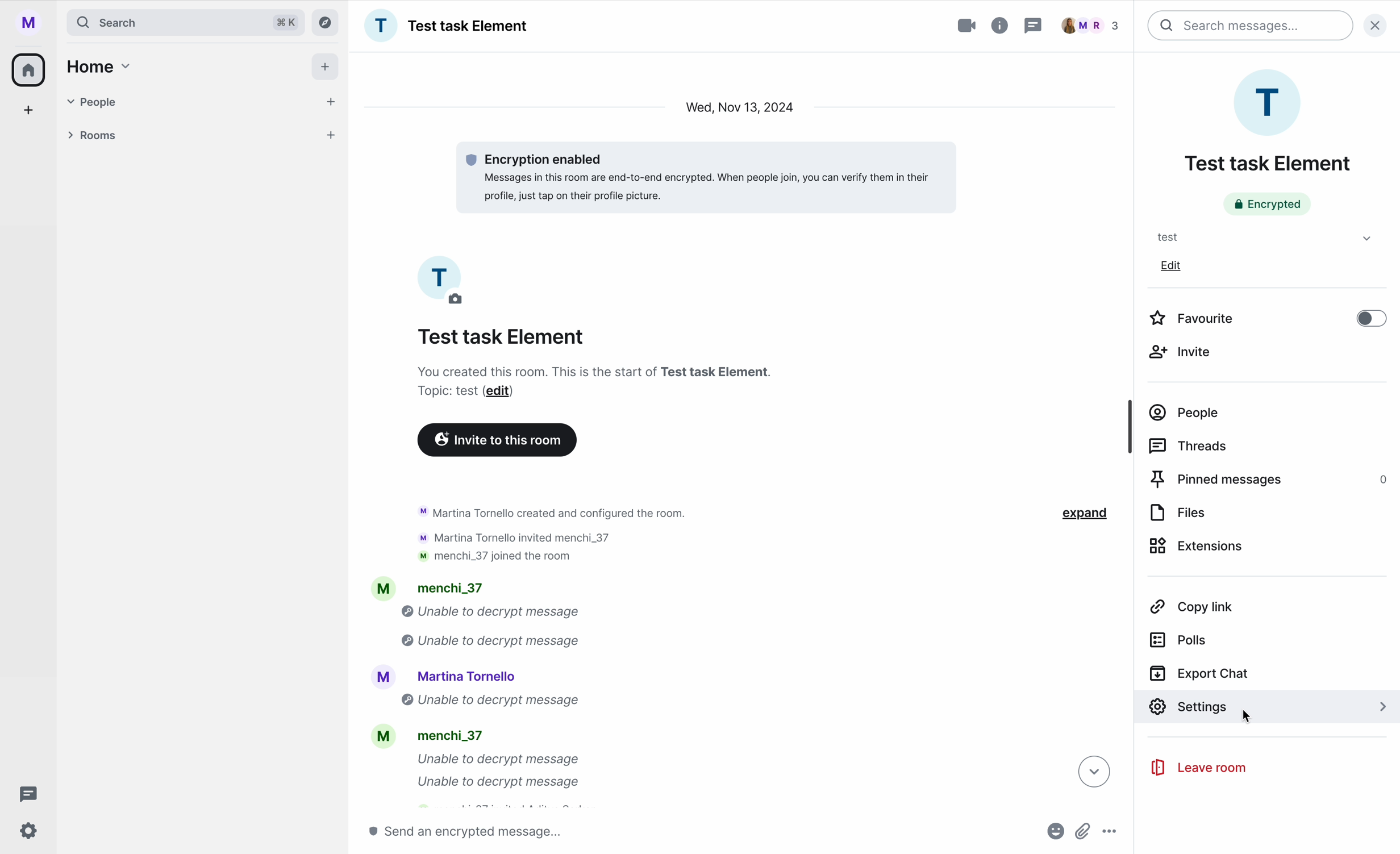  What do you see at coordinates (326, 23) in the screenshot?
I see `explore` at bounding box center [326, 23].